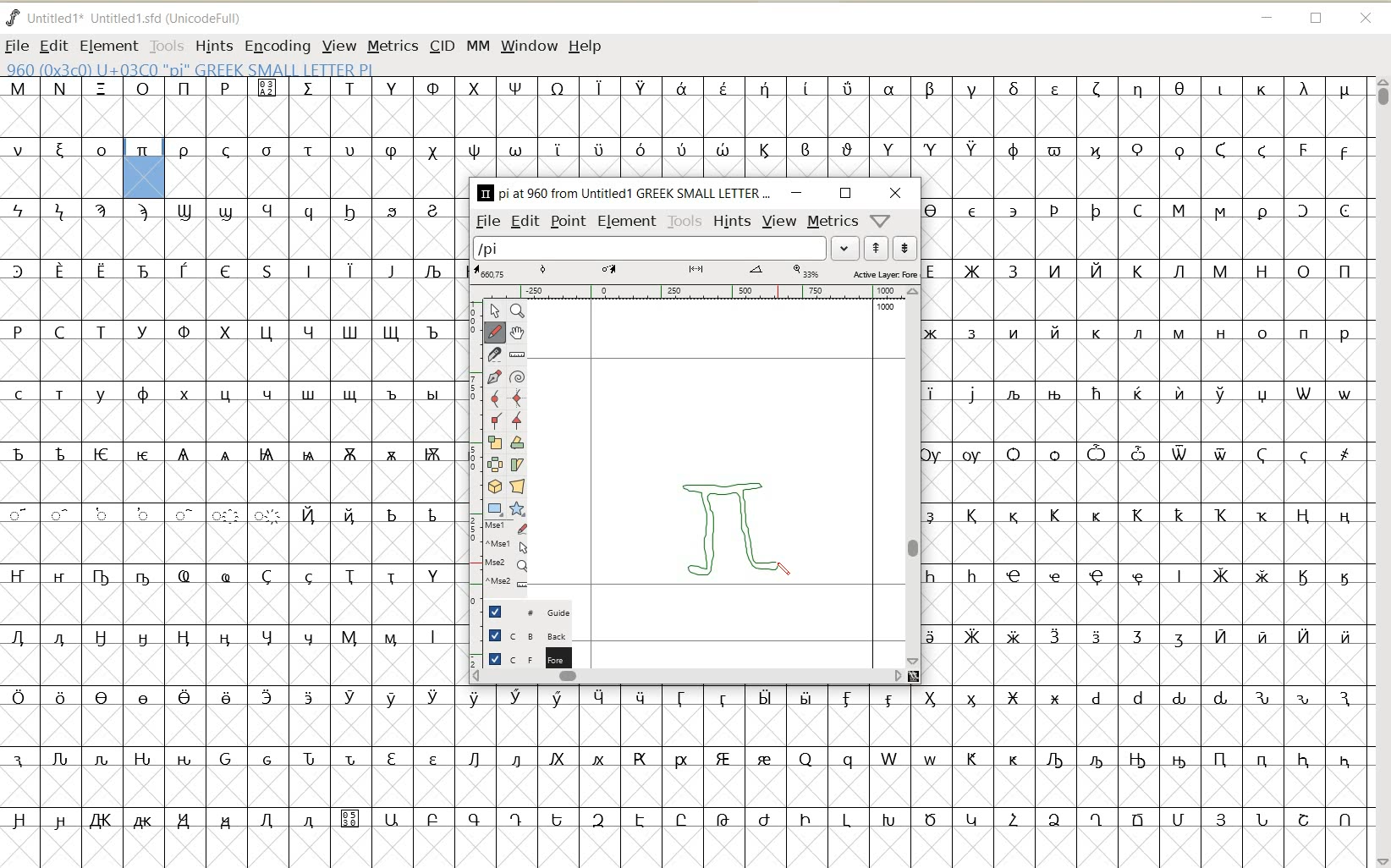 This screenshot has width=1391, height=868. I want to click on RULER, so click(694, 293).